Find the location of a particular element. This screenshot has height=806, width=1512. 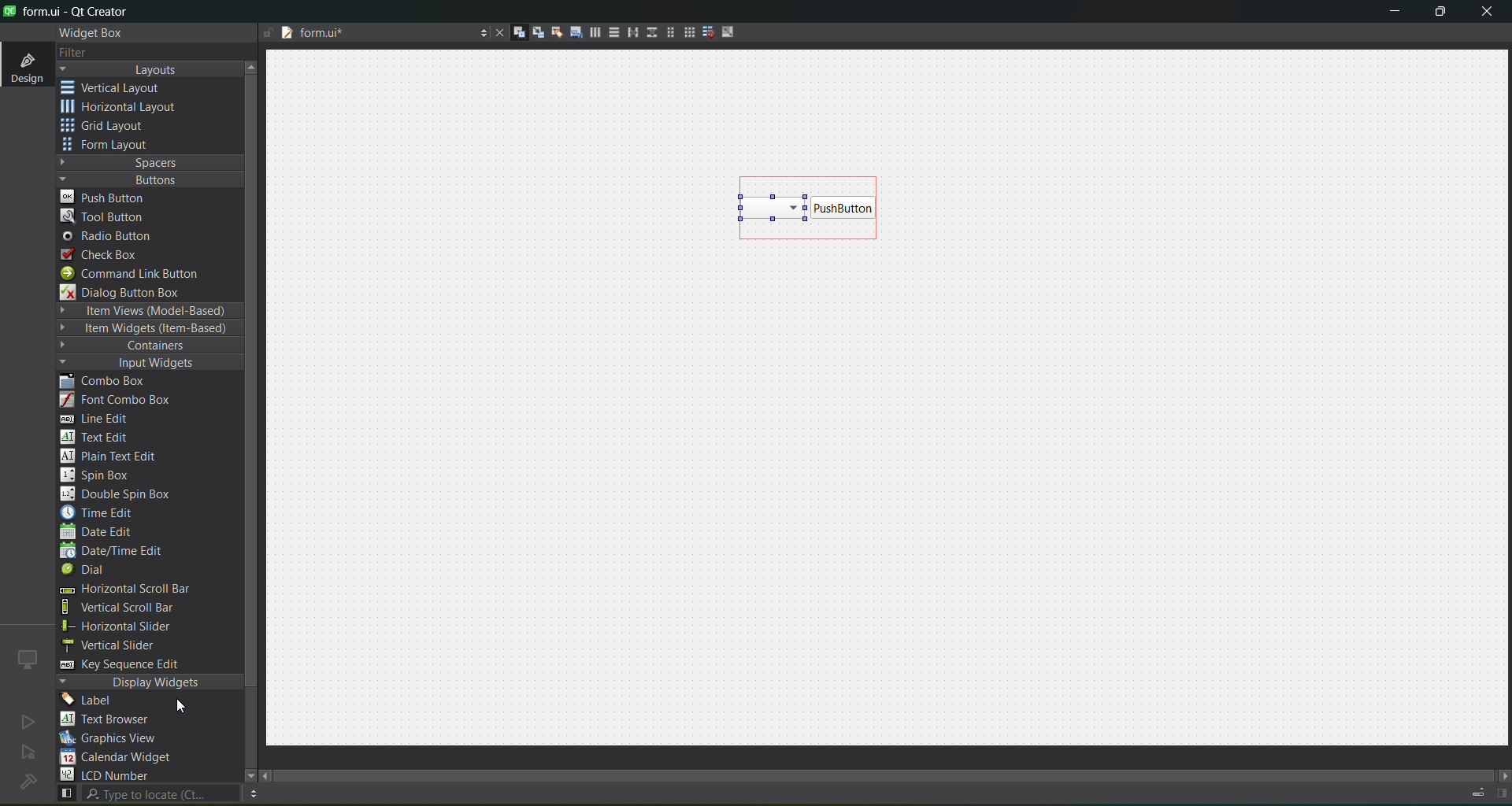

font combo box is located at coordinates (121, 401).